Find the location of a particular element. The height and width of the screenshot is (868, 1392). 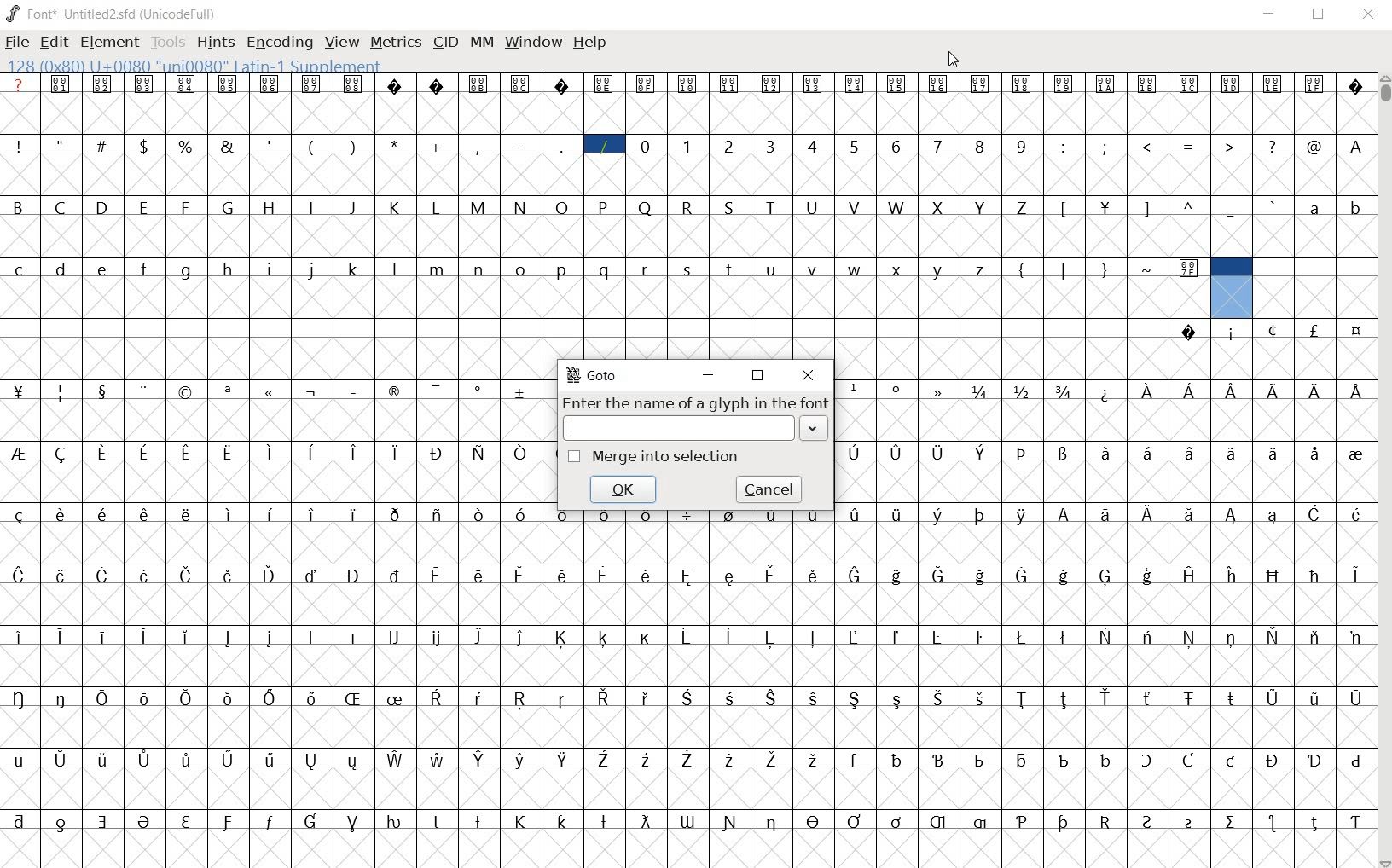

x is located at coordinates (898, 268).